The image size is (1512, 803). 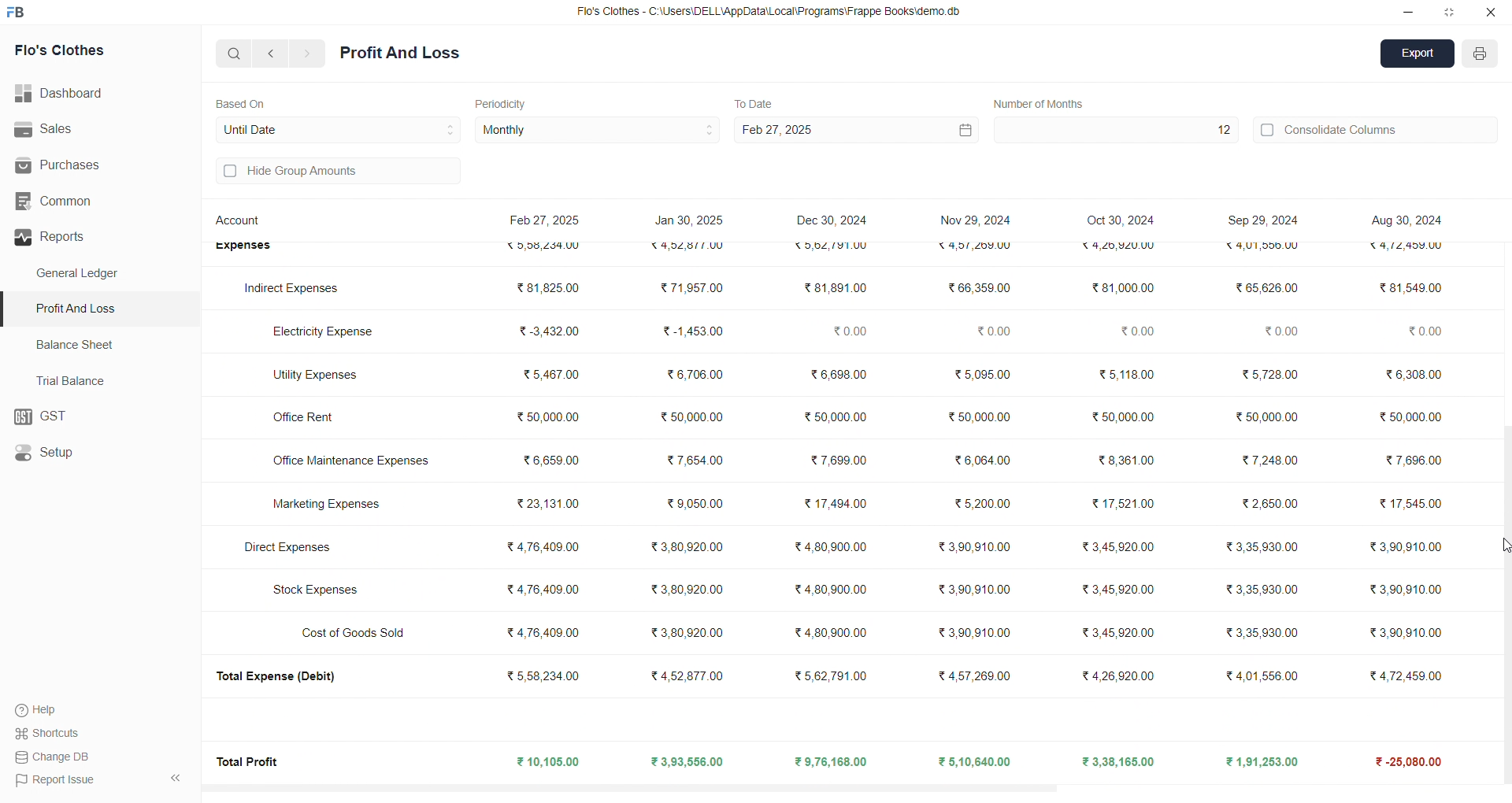 I want to click on Electricity Expense, so click(x=326, y=329).